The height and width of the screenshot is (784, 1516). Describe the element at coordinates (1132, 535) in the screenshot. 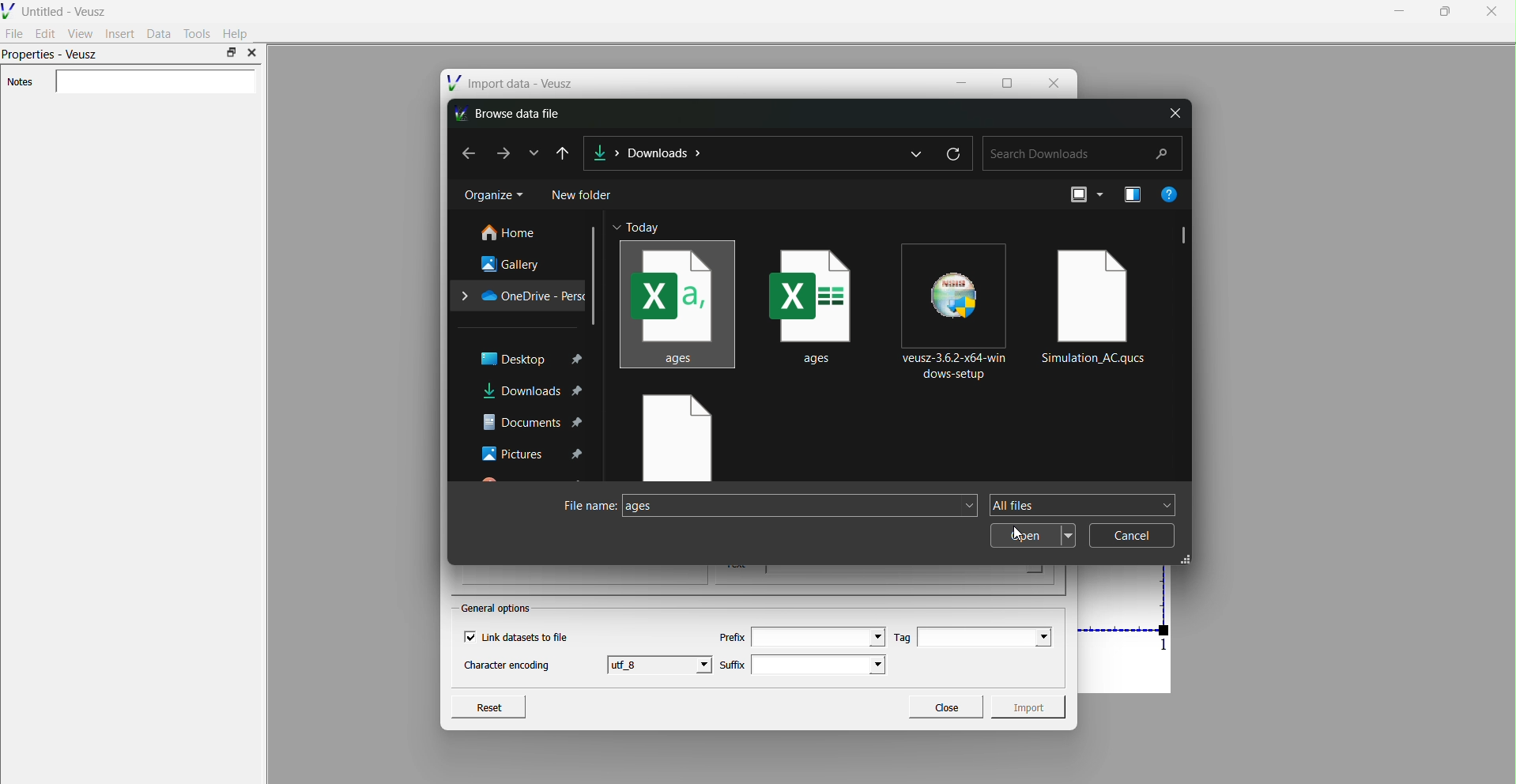

I see `Cancel` at that location.